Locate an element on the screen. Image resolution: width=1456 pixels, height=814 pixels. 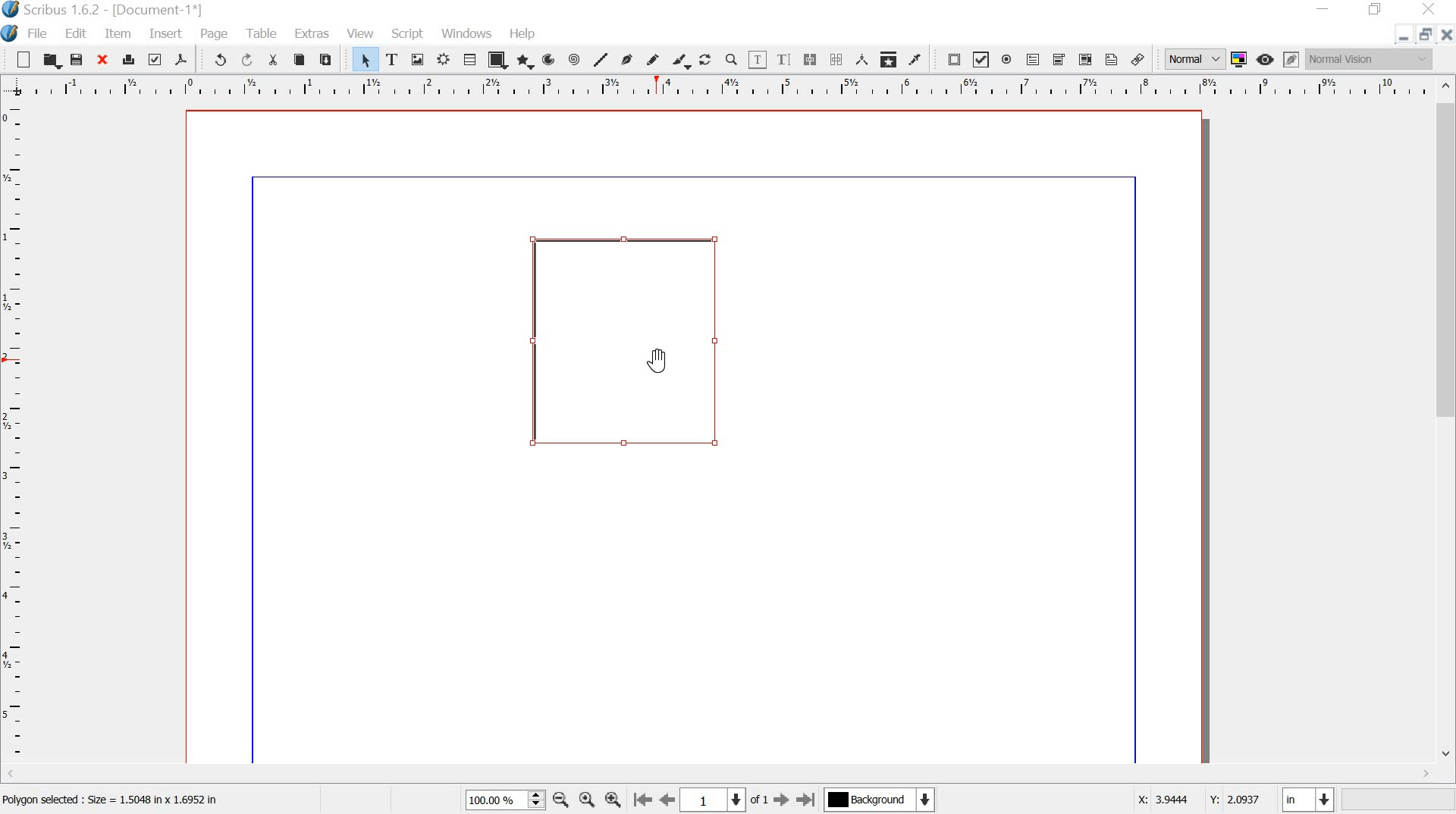
close document is located at coordinates (1445, 35).